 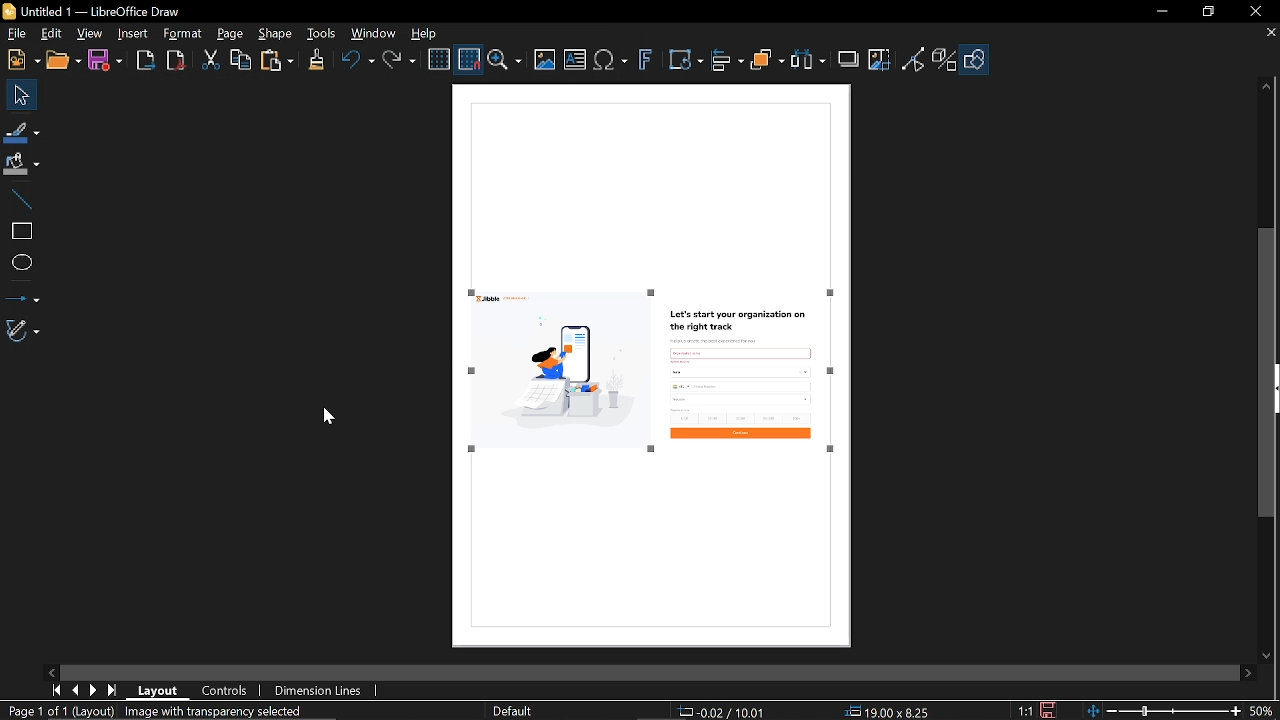 I want to click on Position, so click(x=722, y=712).